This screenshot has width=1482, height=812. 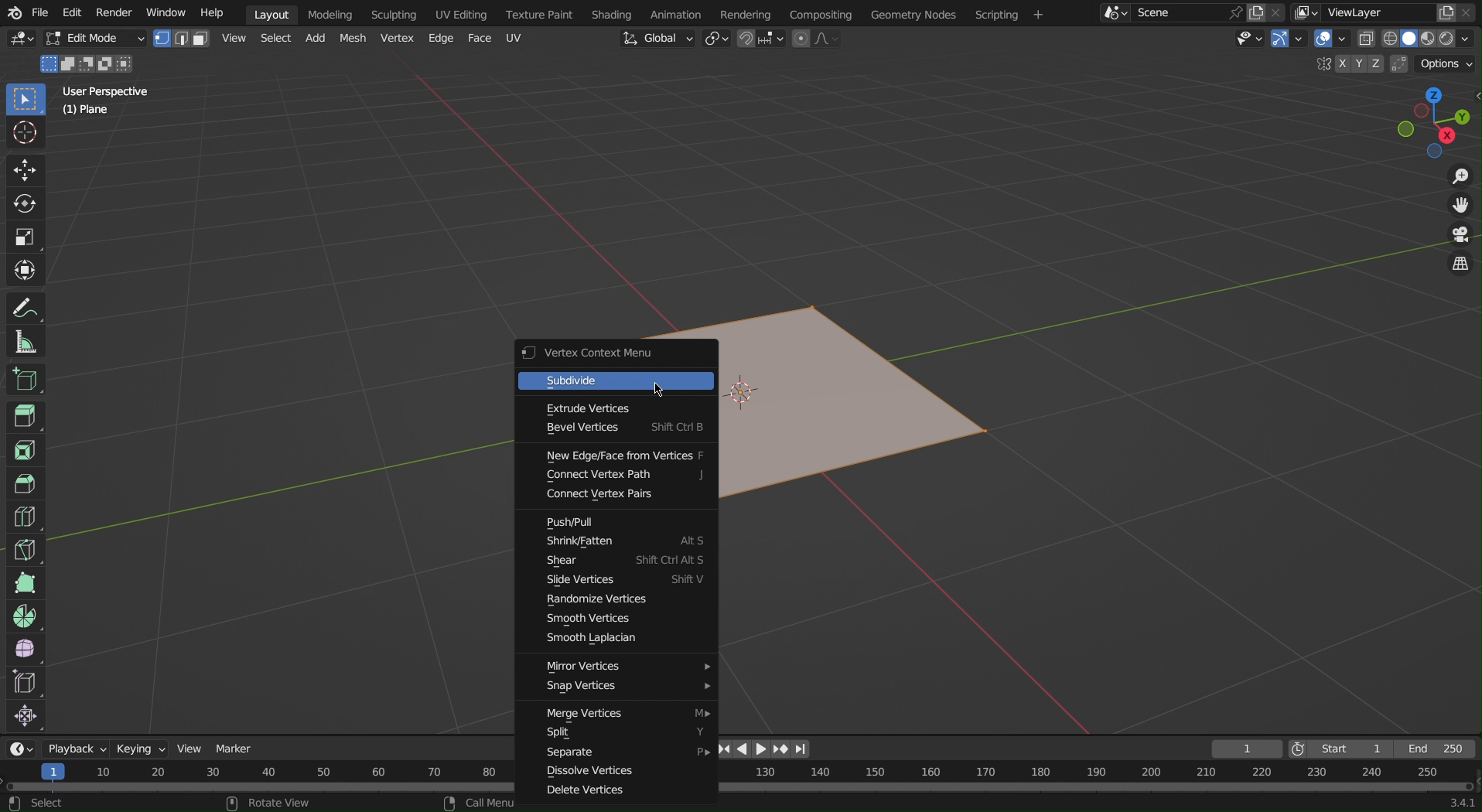 I want to click on Annotate, so click(x=26, y=306).